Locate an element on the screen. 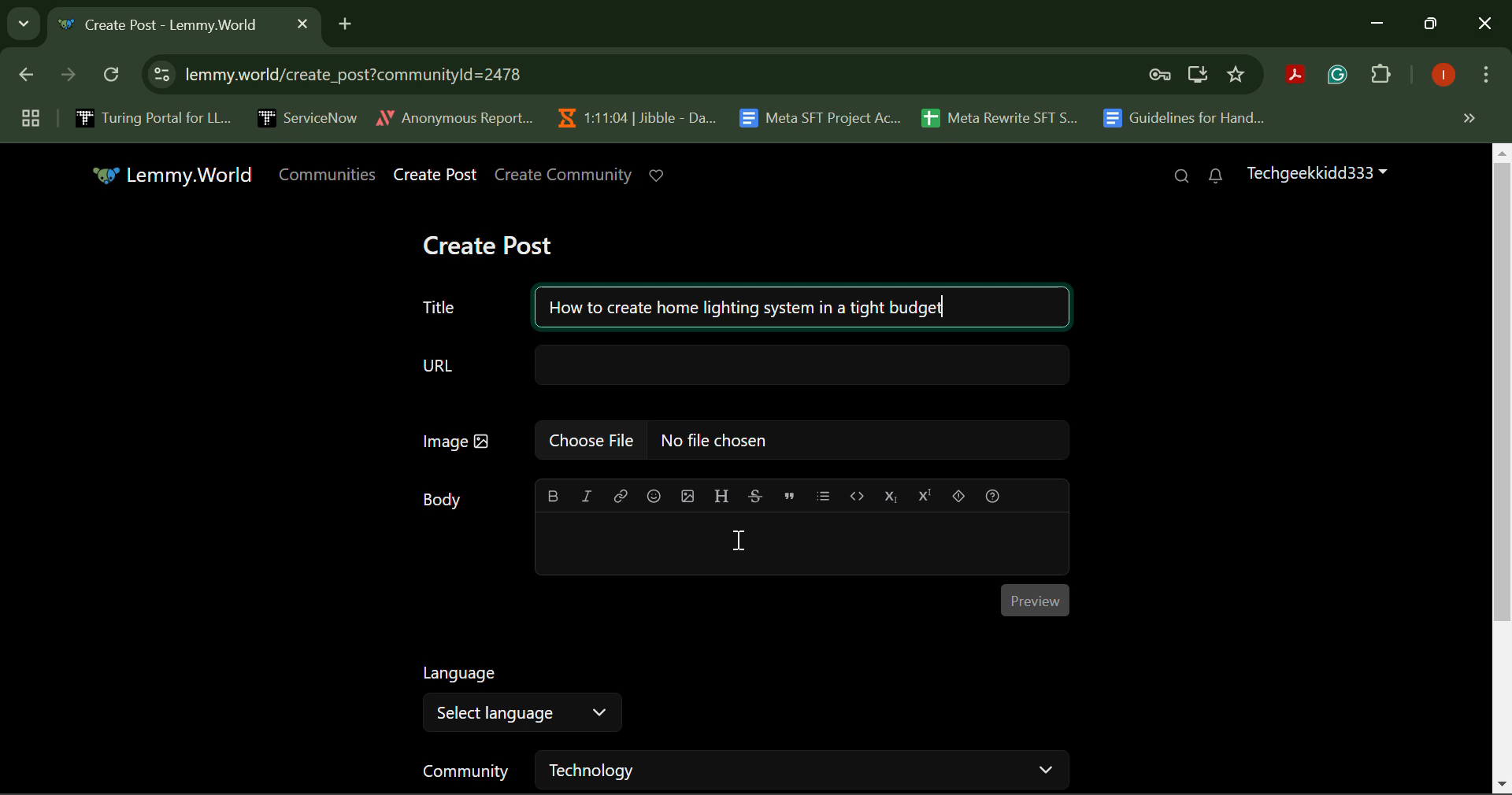  Bookmark is located at coordinates (1237, 75).